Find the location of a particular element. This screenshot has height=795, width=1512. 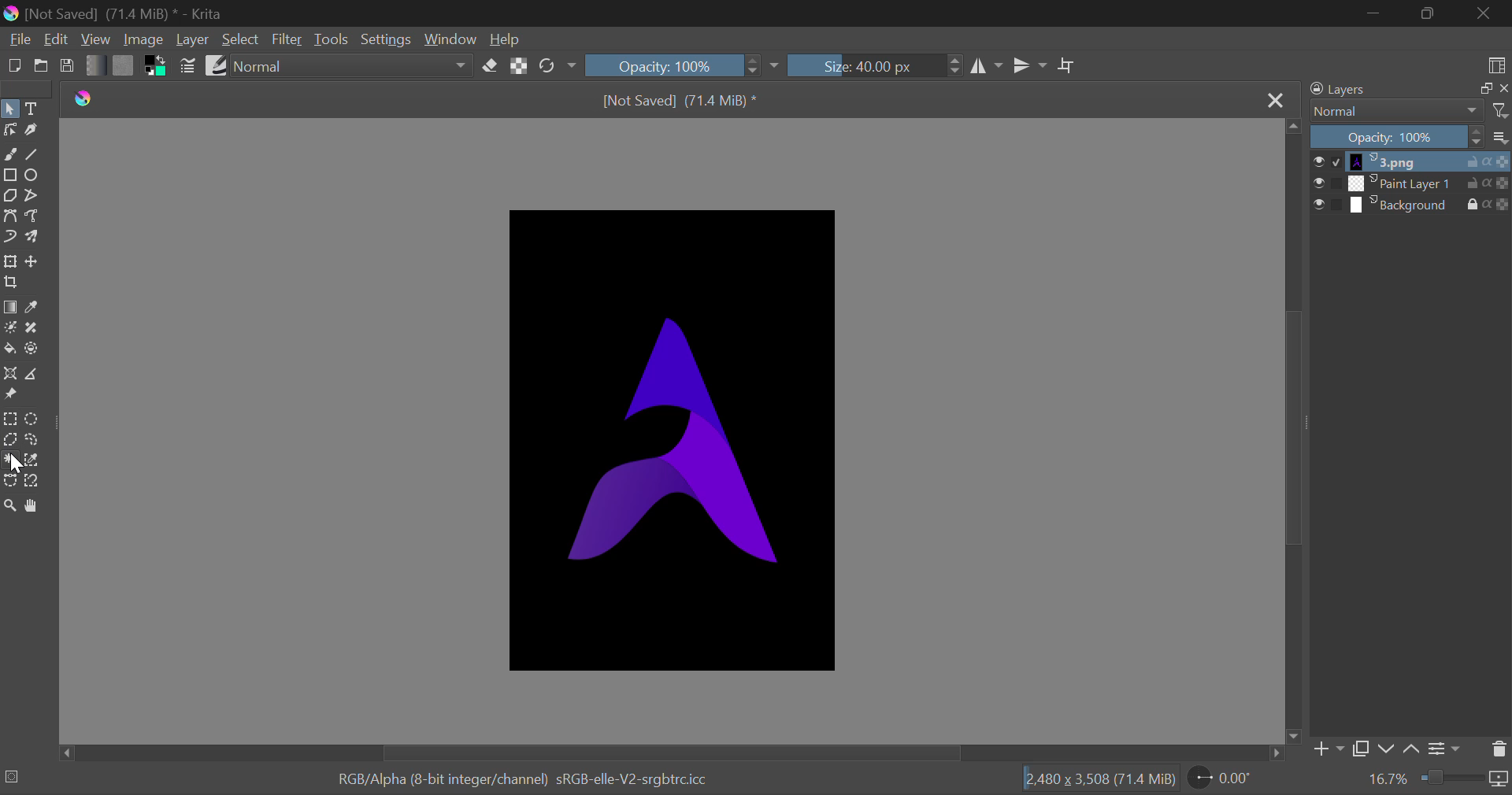

Fill is located at coordinates (10, 352).